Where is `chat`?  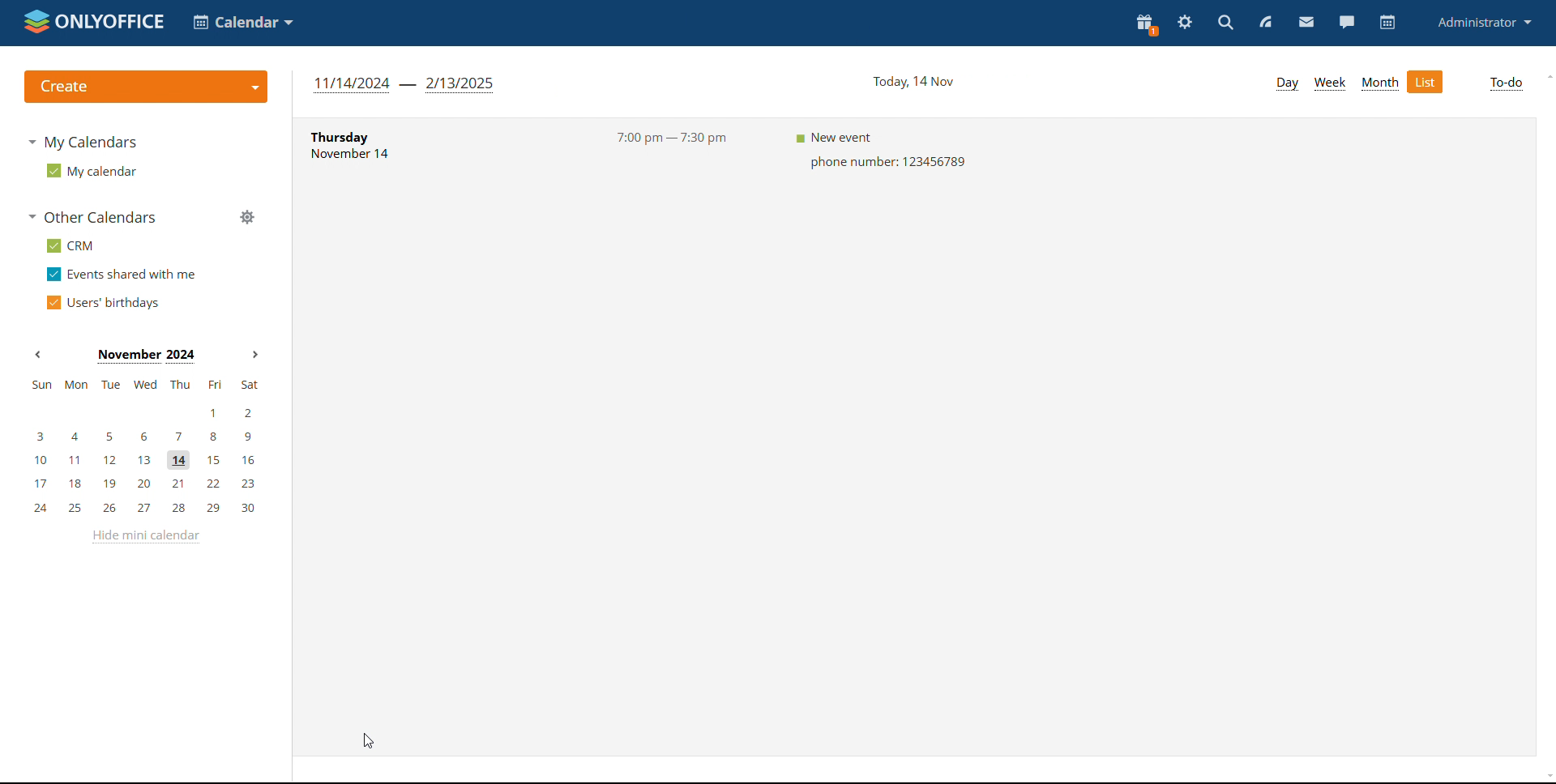
chat is located at coordinates (1346, 23).